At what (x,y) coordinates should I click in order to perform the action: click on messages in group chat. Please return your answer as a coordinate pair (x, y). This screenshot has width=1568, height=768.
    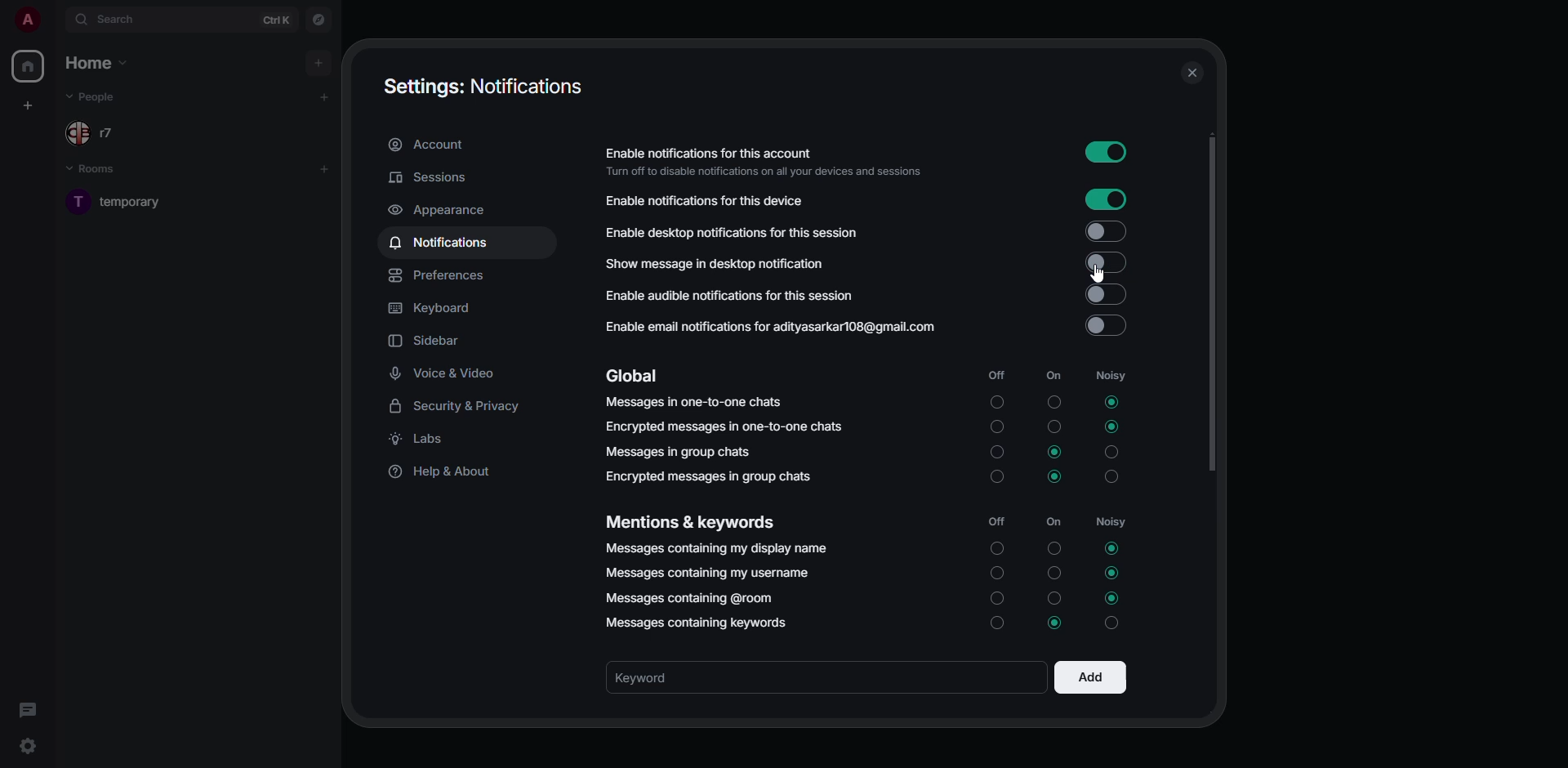
    Looking at the image, I should click on (679, 452).